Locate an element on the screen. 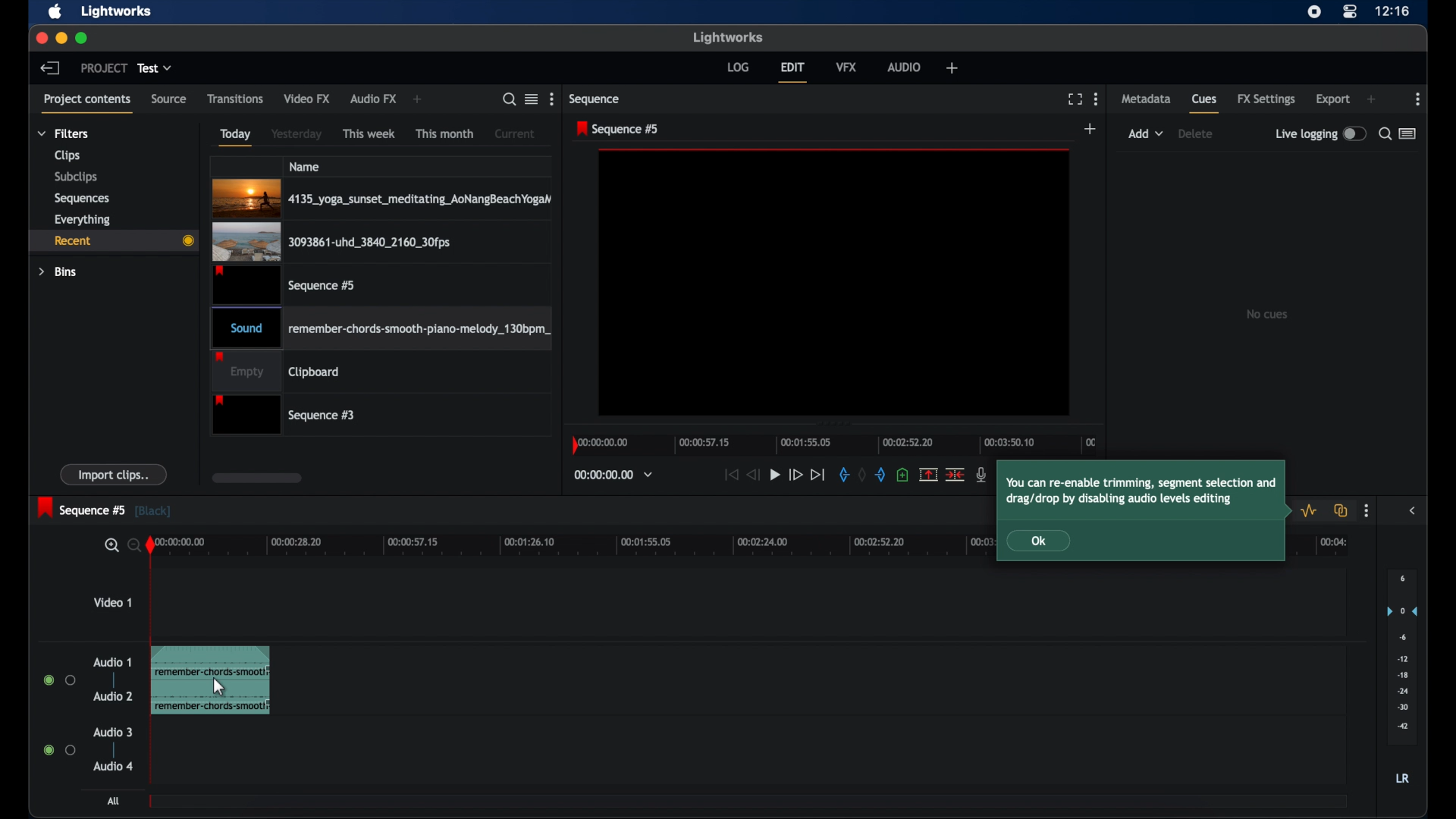 The height and width of the screenshot is (819, 1456). log is located at coordinates (738, 67).